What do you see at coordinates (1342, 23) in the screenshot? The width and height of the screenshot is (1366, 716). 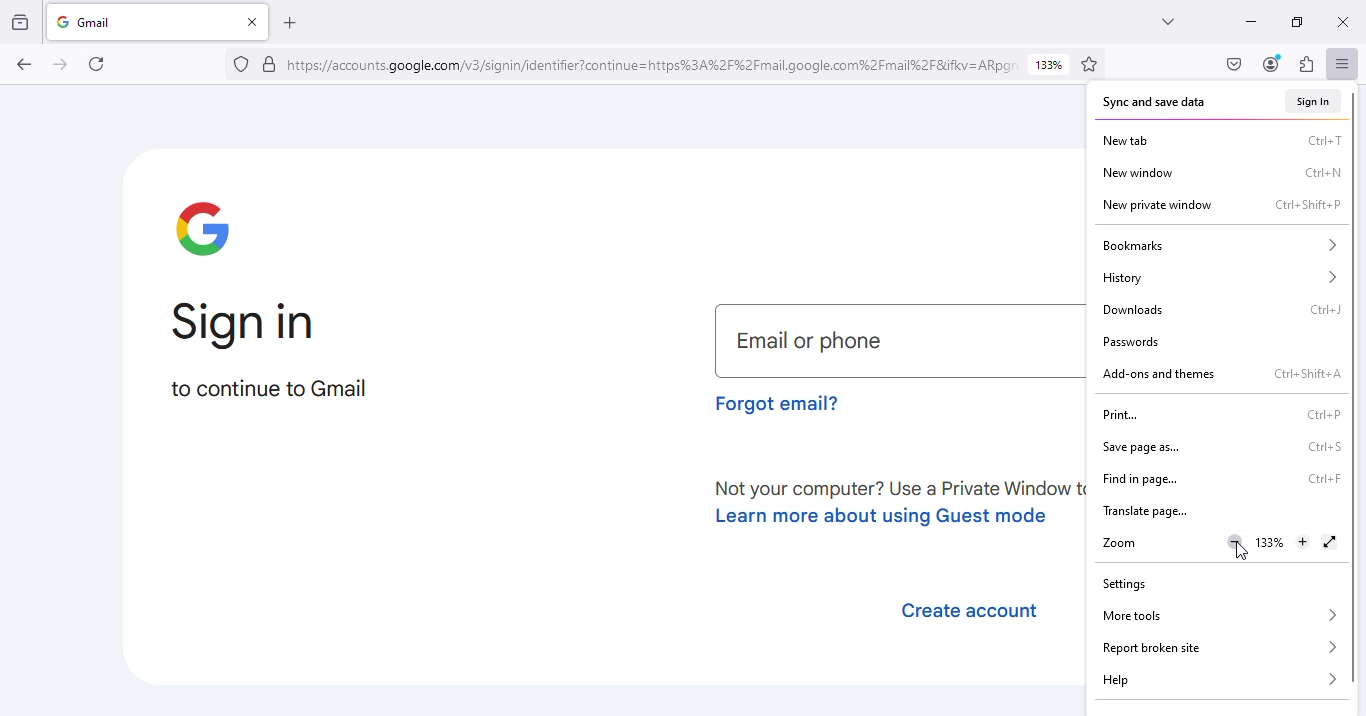 I see `close` at bounding box center [1342, 23].